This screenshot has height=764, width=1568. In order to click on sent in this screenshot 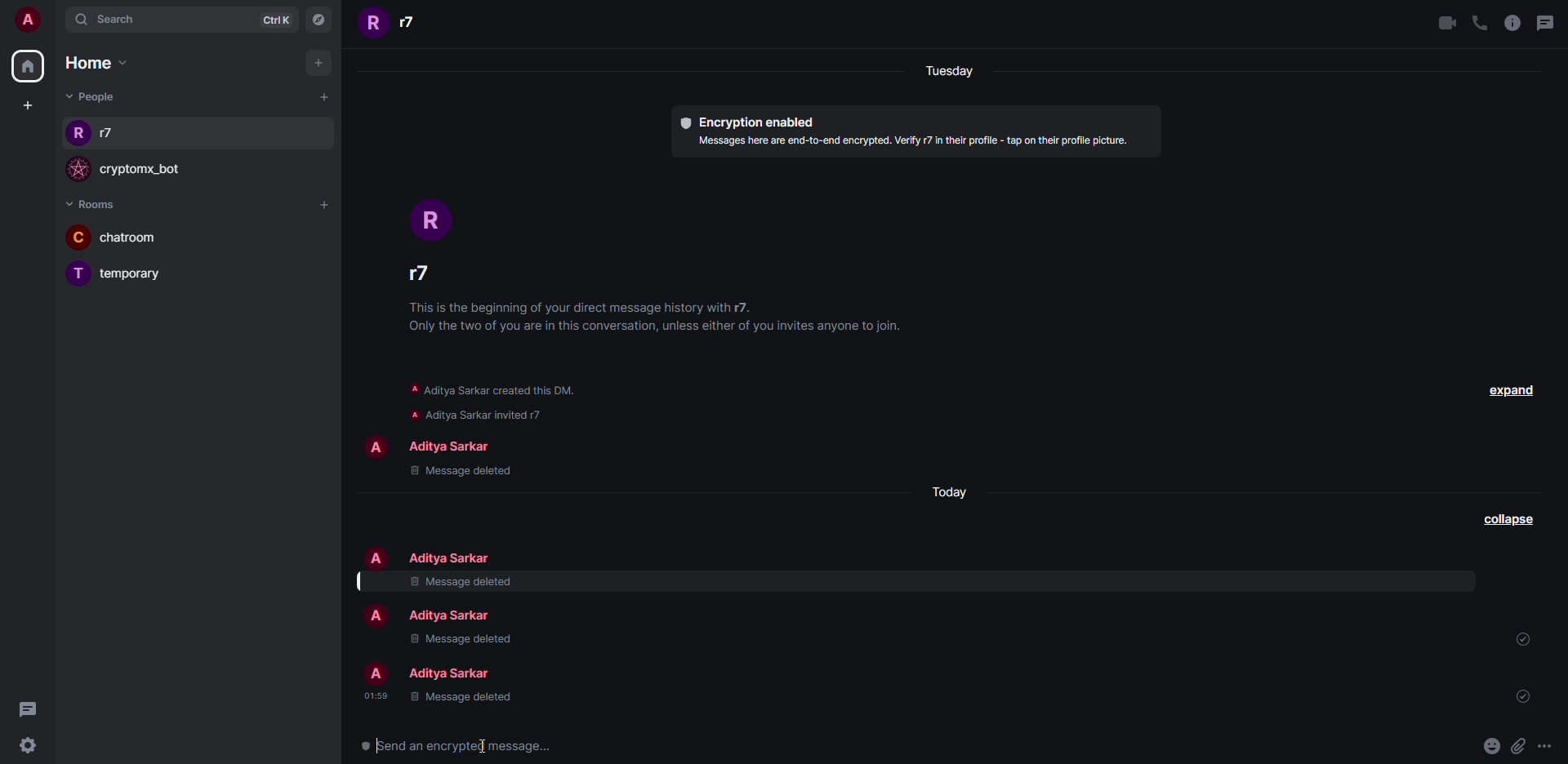, I will do `click(1521, 695)`.